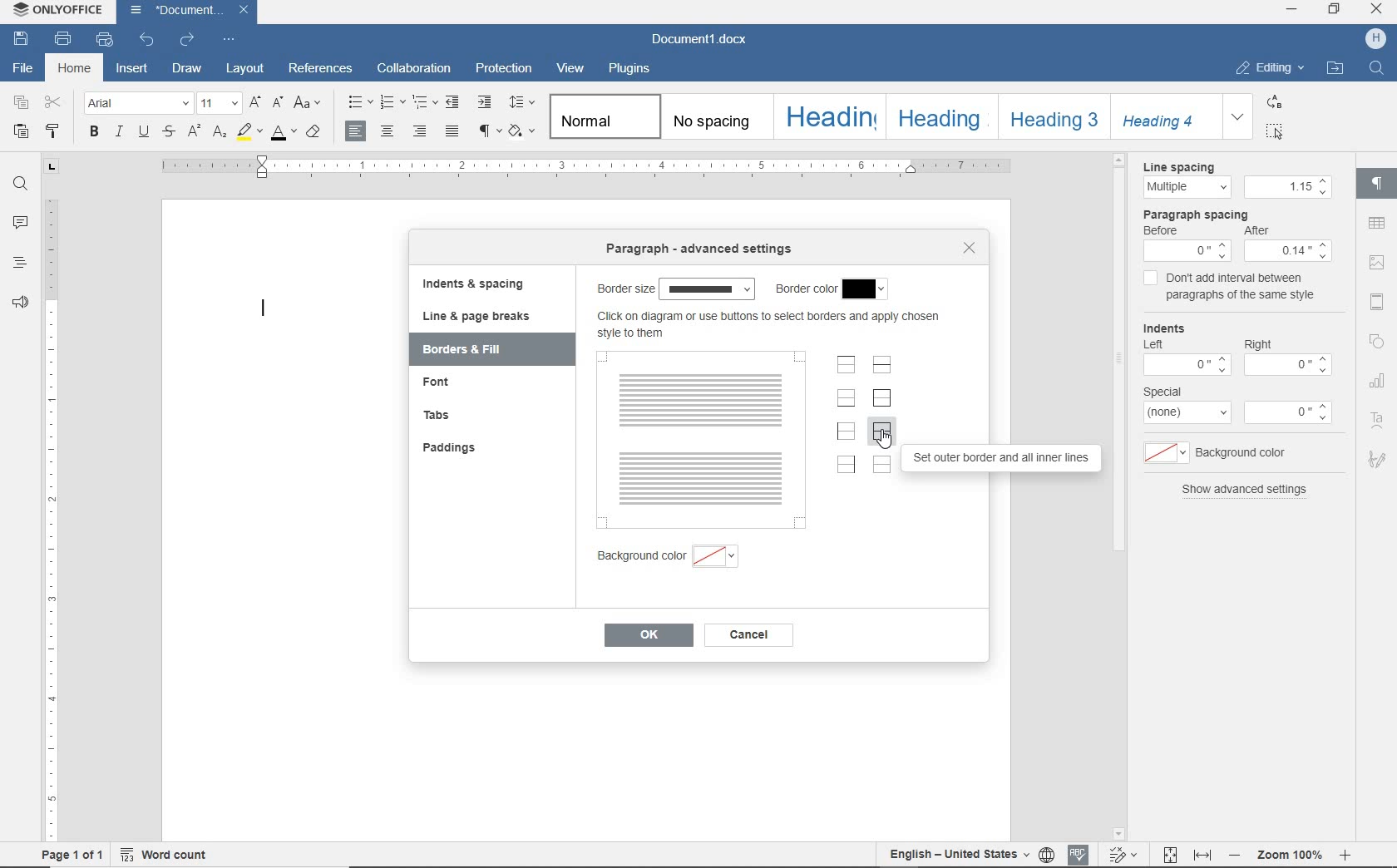 The width and height of the screenshot is (1397, 868). I want to click on collaboration, so click(417, 69).